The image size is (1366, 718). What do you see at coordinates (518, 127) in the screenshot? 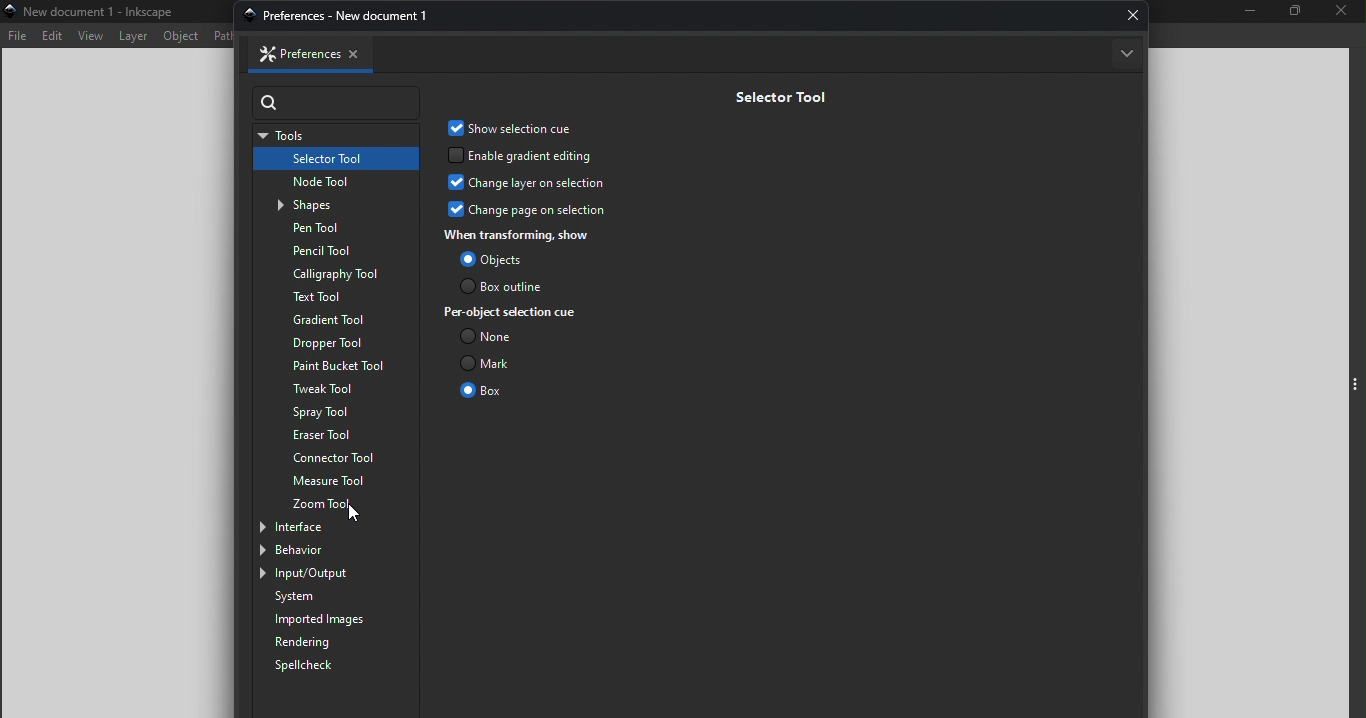
I see `Show selection` at bounding box center [518, 127].